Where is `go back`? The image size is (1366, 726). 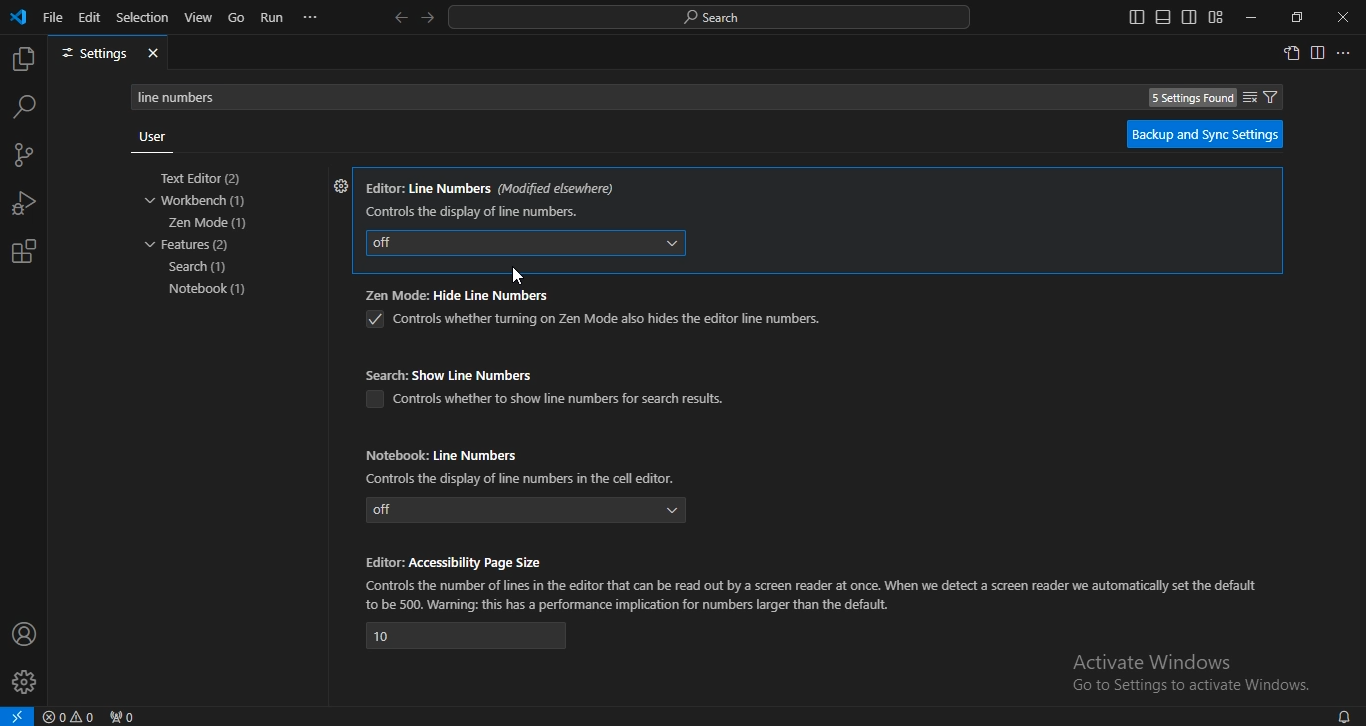
go back is located at coordinates (400, 18).